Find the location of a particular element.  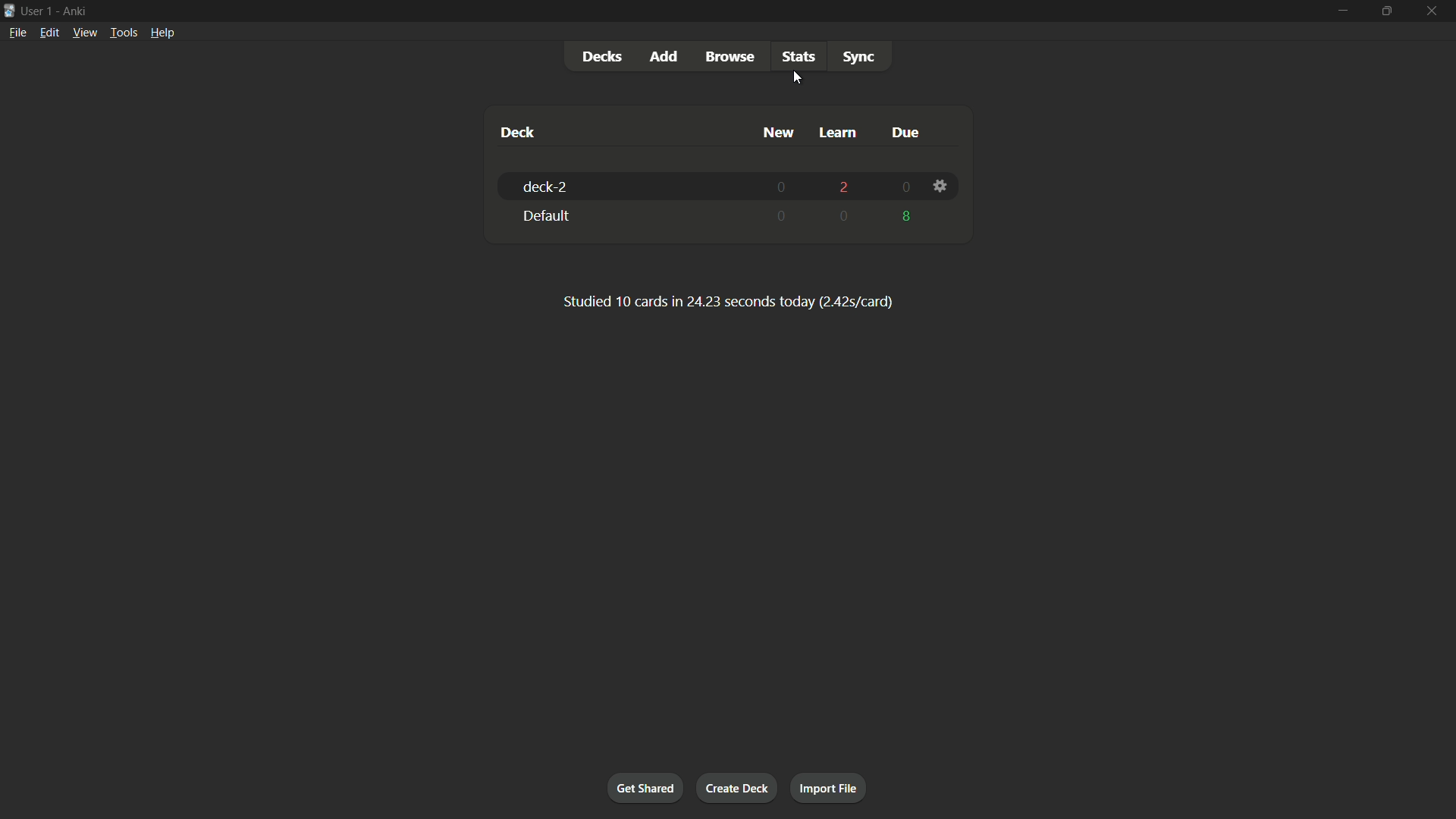

Add is located at coordinates (663, 58).